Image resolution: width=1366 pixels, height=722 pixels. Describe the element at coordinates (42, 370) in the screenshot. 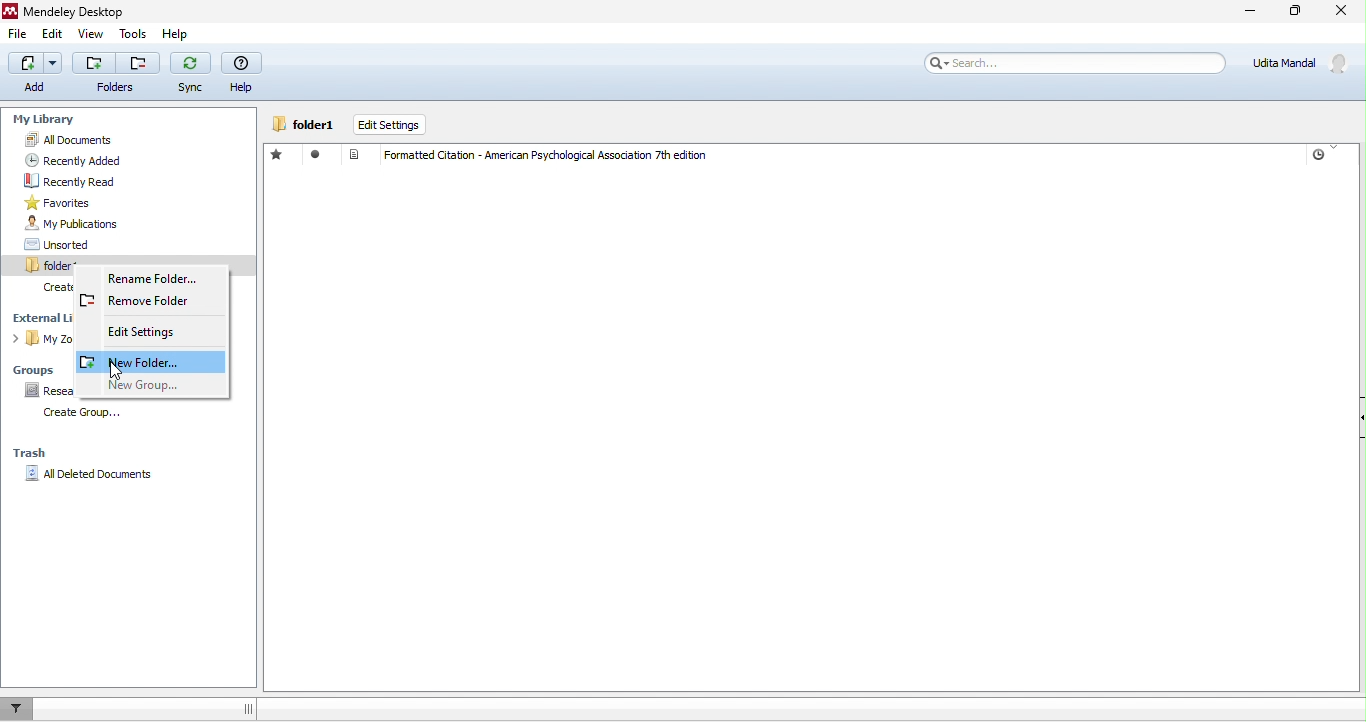

I see `groups` at that location.